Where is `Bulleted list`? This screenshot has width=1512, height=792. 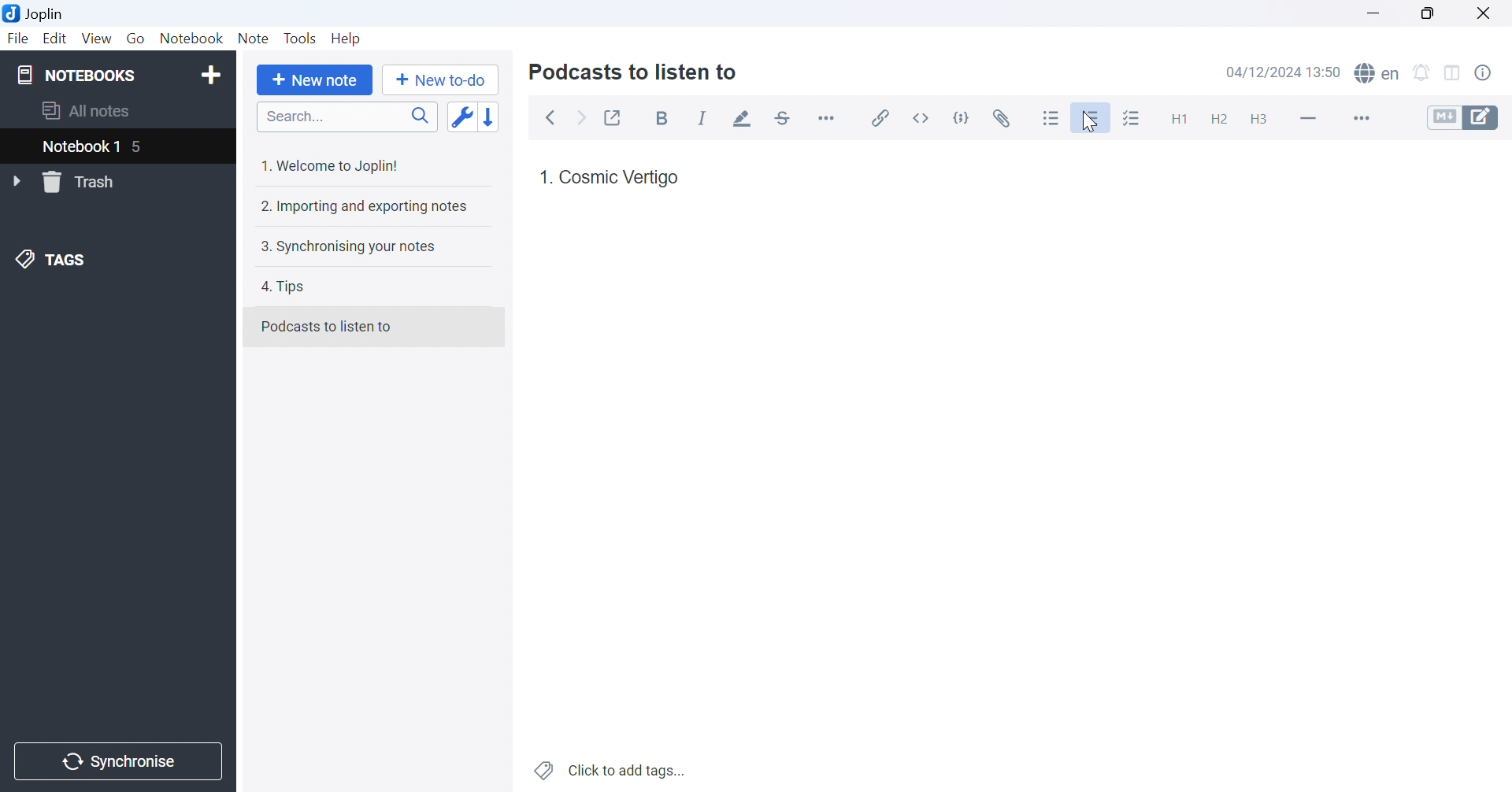
Bulleted list is located at coordinates (1052, 117).